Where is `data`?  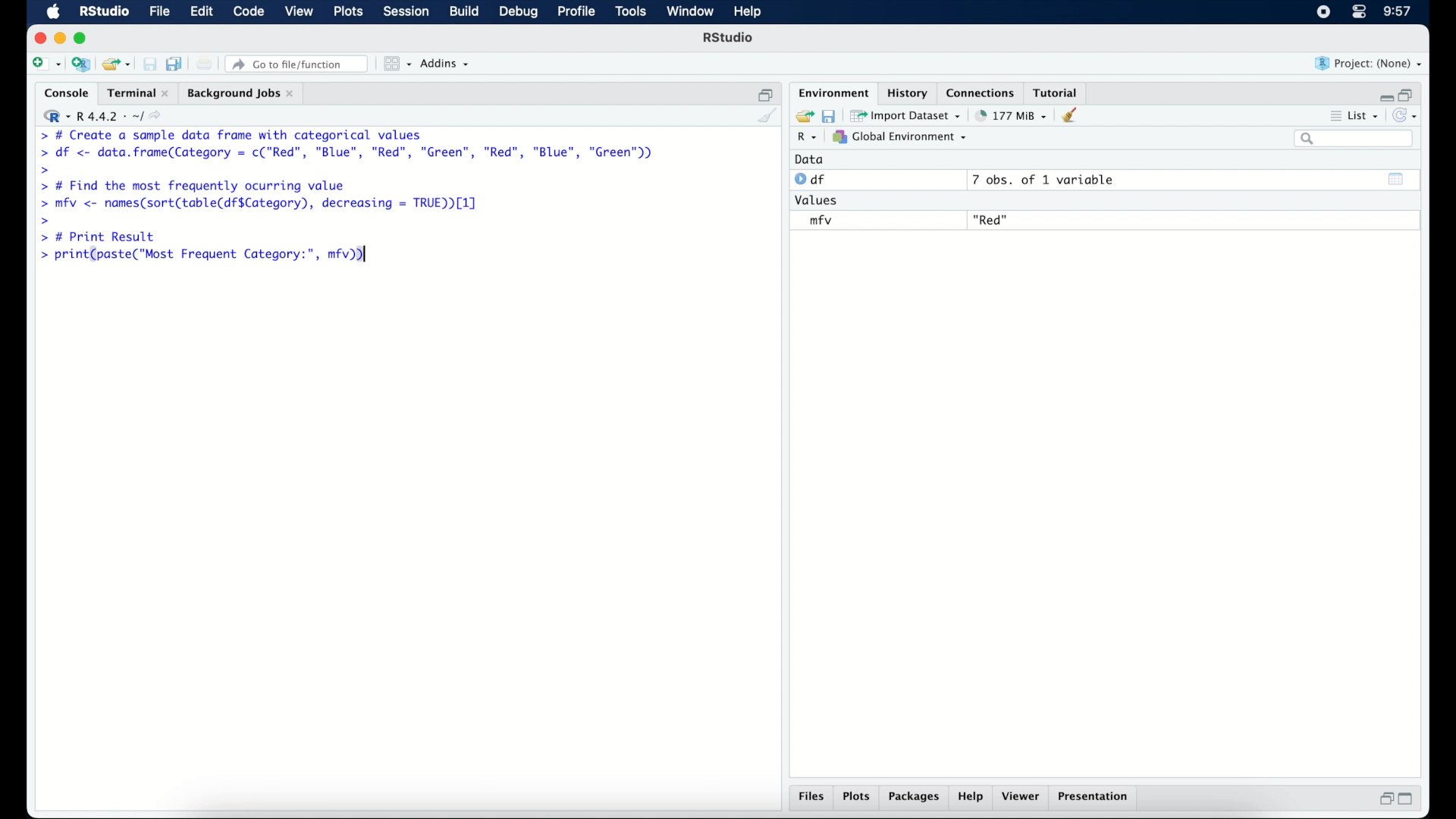 data is located at coordinates (814, 159).